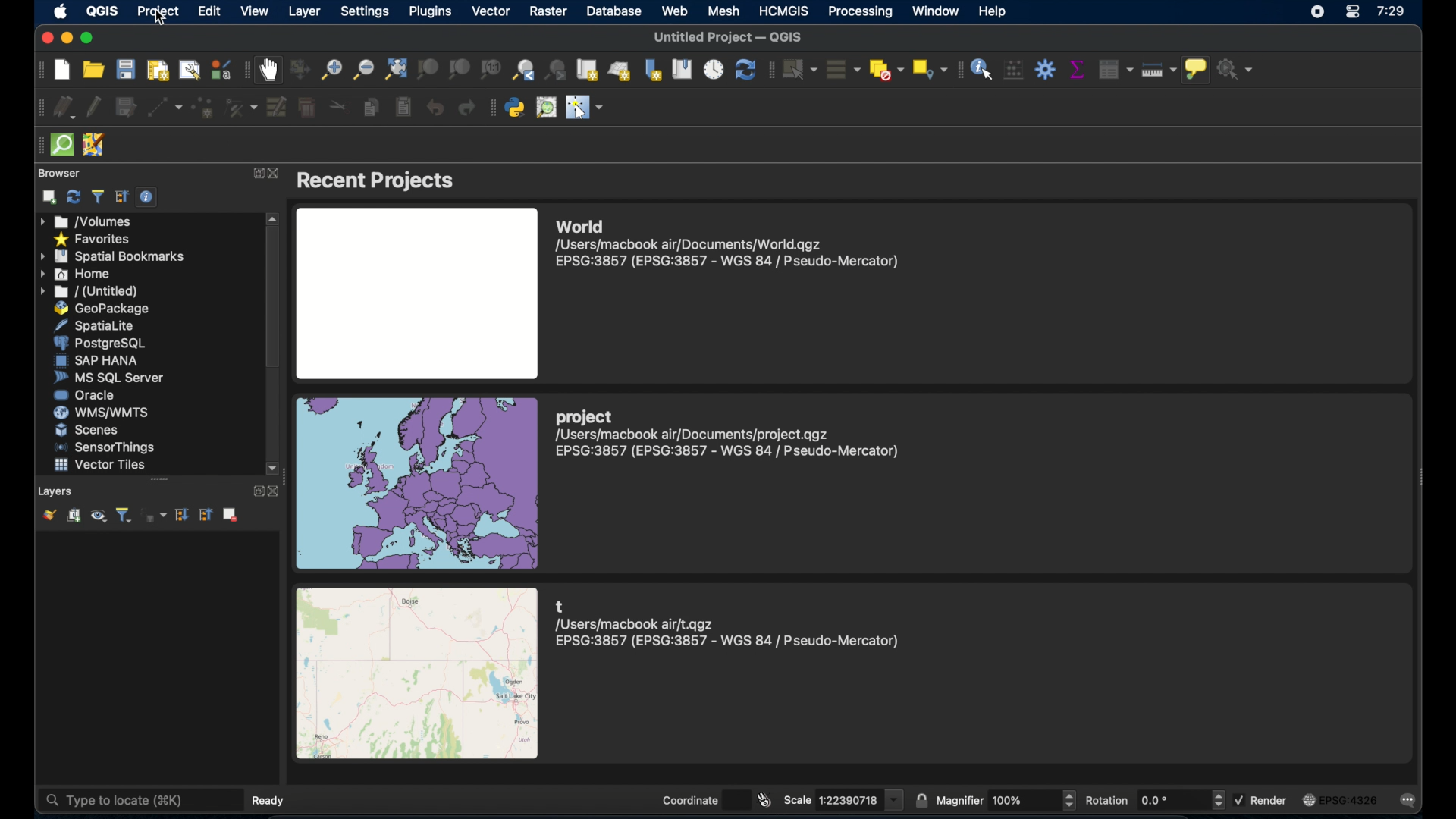  Describe the element at coordinates (161, 12) in the screenshot. I see `project` at that location.